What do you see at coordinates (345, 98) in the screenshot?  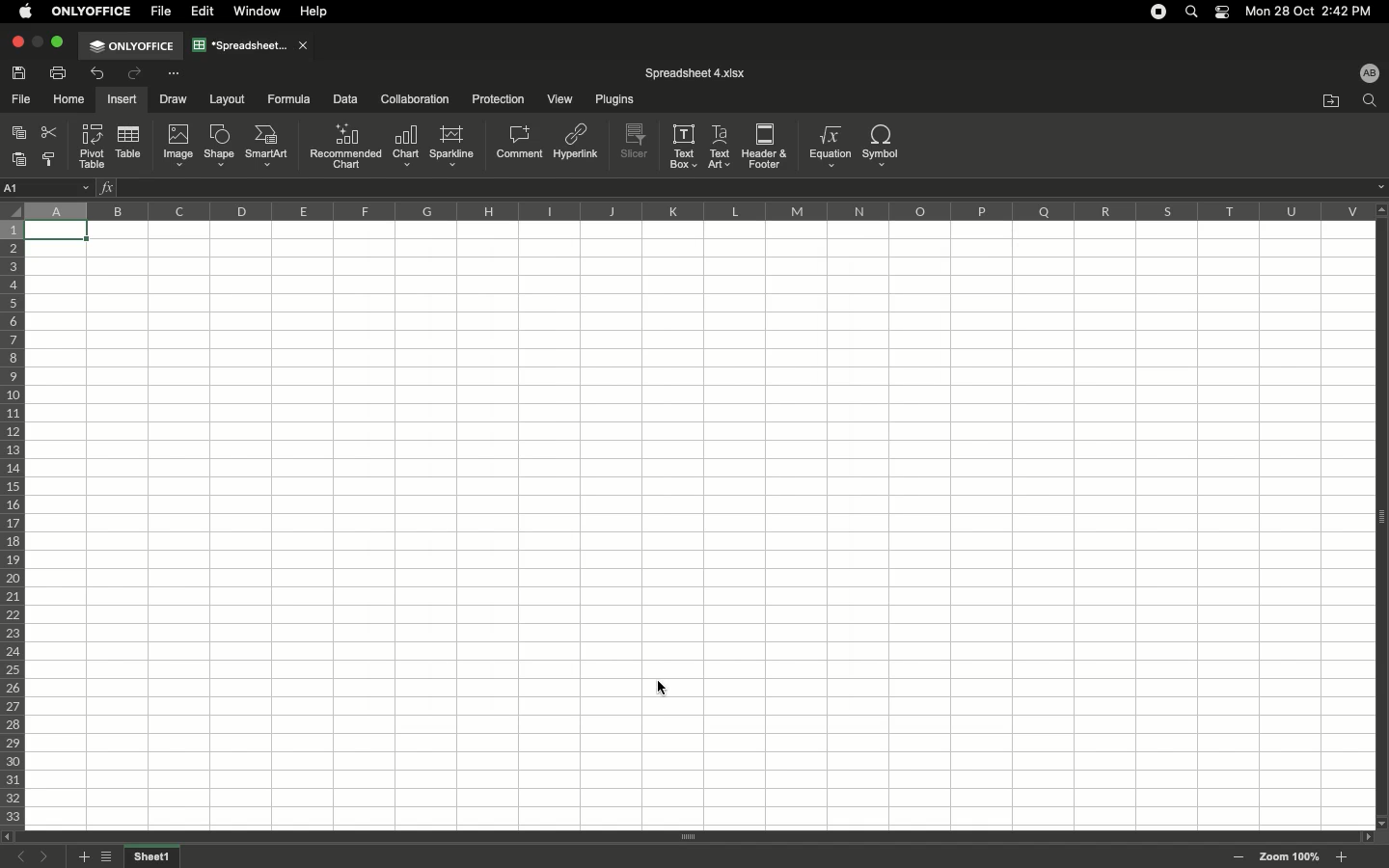 I see `Data` at bounding box center [345, 98].